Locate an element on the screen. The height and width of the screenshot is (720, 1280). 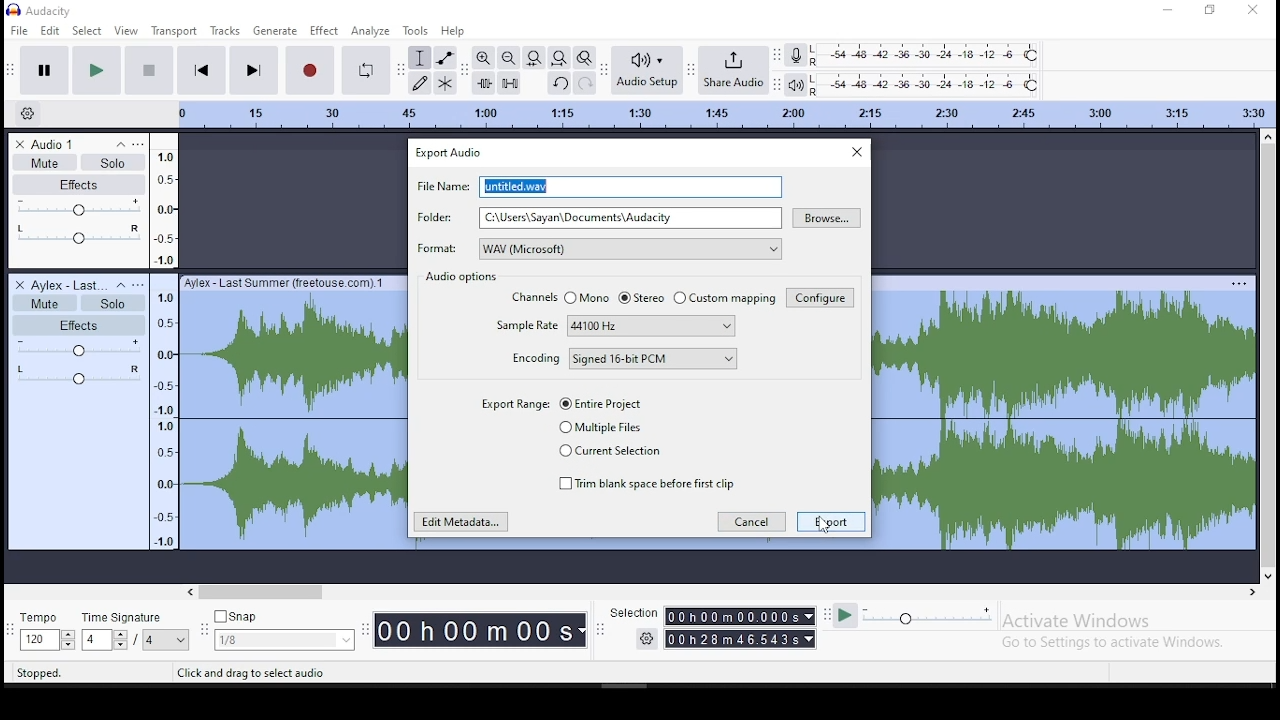
undo is located at coordinates (558, 83).